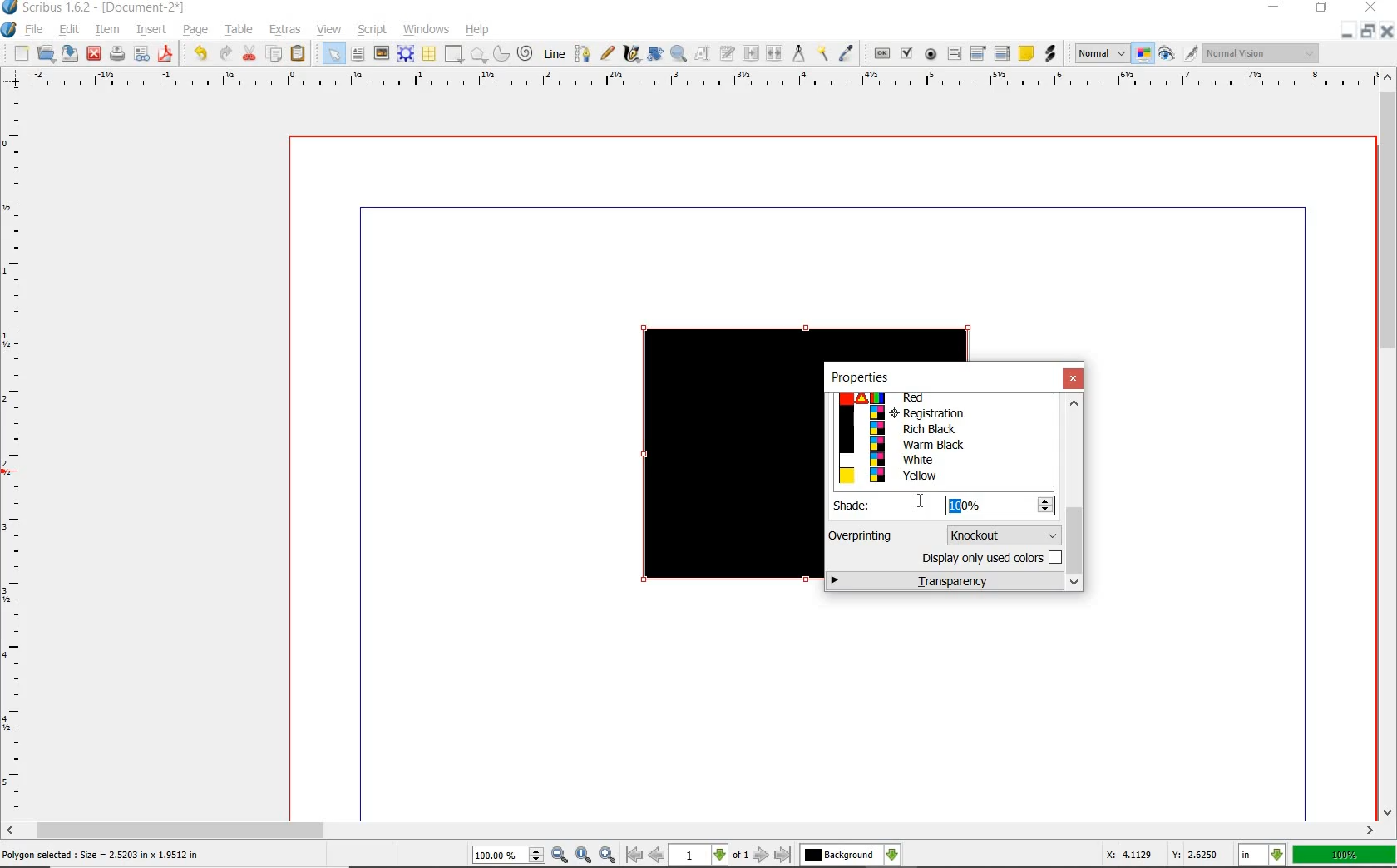  I want to click on system logo, so click(10, 31).